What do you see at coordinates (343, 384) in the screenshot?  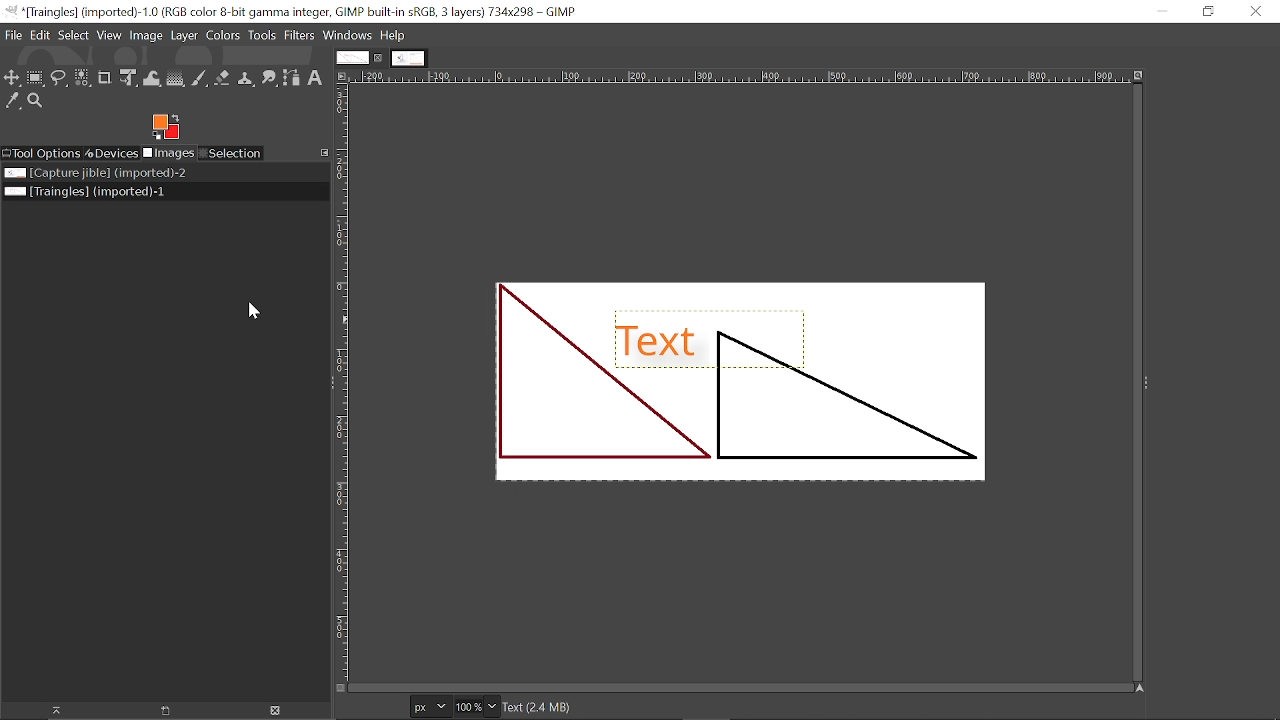 I see `vertical label` at bounding box center [343, 384].